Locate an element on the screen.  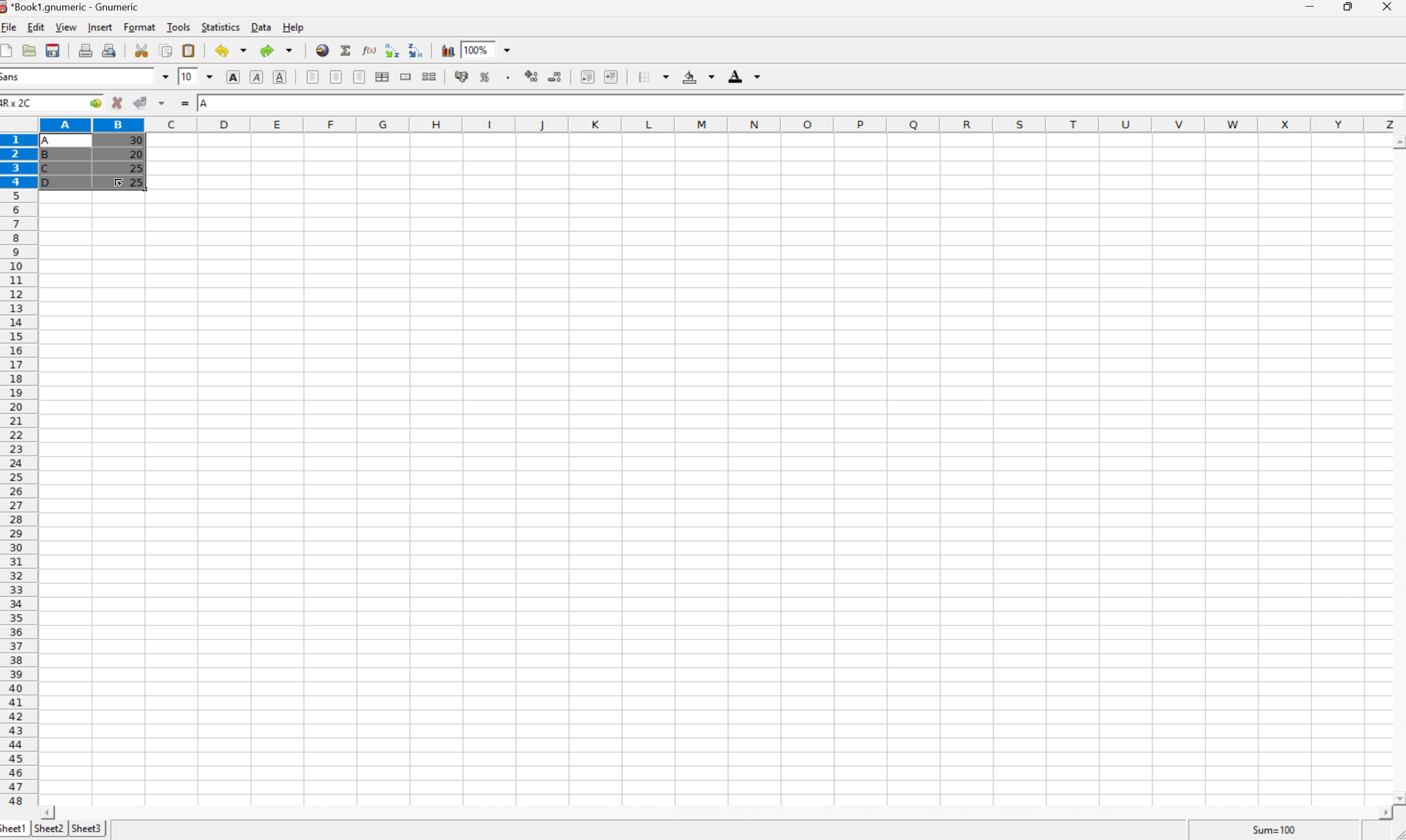
Restore Down is located at coordinates (1351, 6).